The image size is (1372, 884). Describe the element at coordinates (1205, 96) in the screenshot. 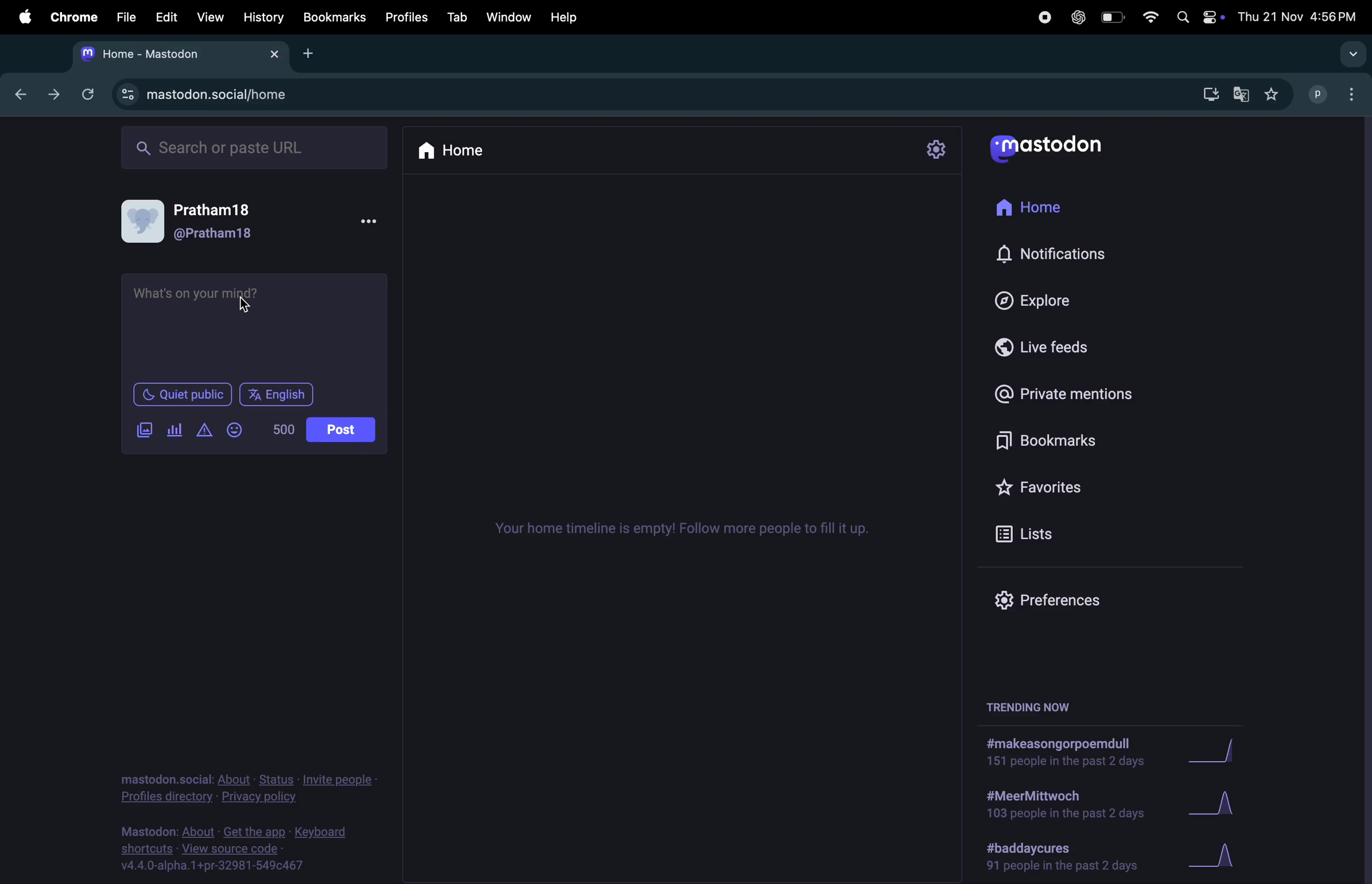

I see `down load` at that location.